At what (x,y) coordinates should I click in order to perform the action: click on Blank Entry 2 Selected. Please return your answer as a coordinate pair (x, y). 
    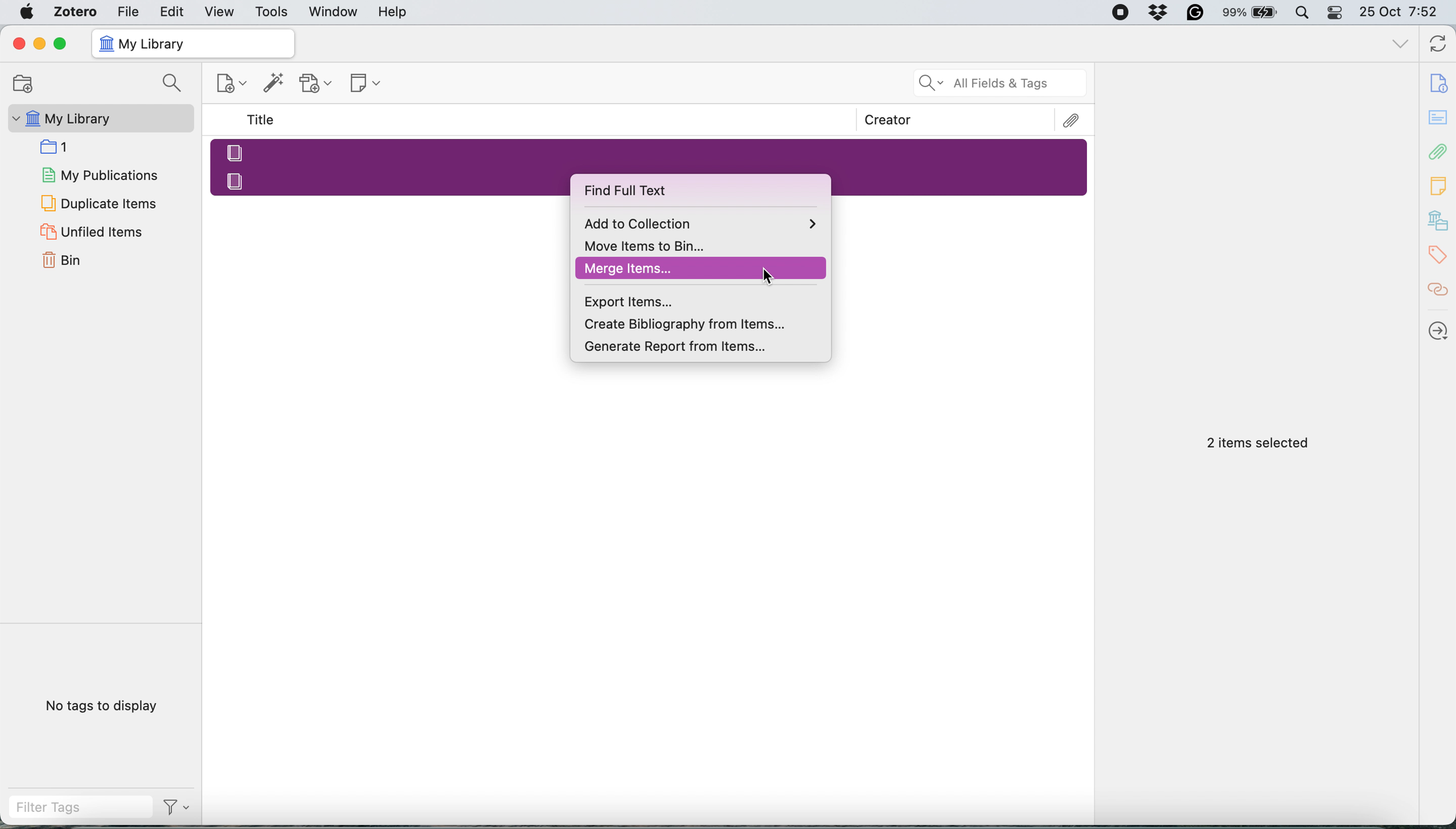
    Looking at the image, I should click on (389, 179).